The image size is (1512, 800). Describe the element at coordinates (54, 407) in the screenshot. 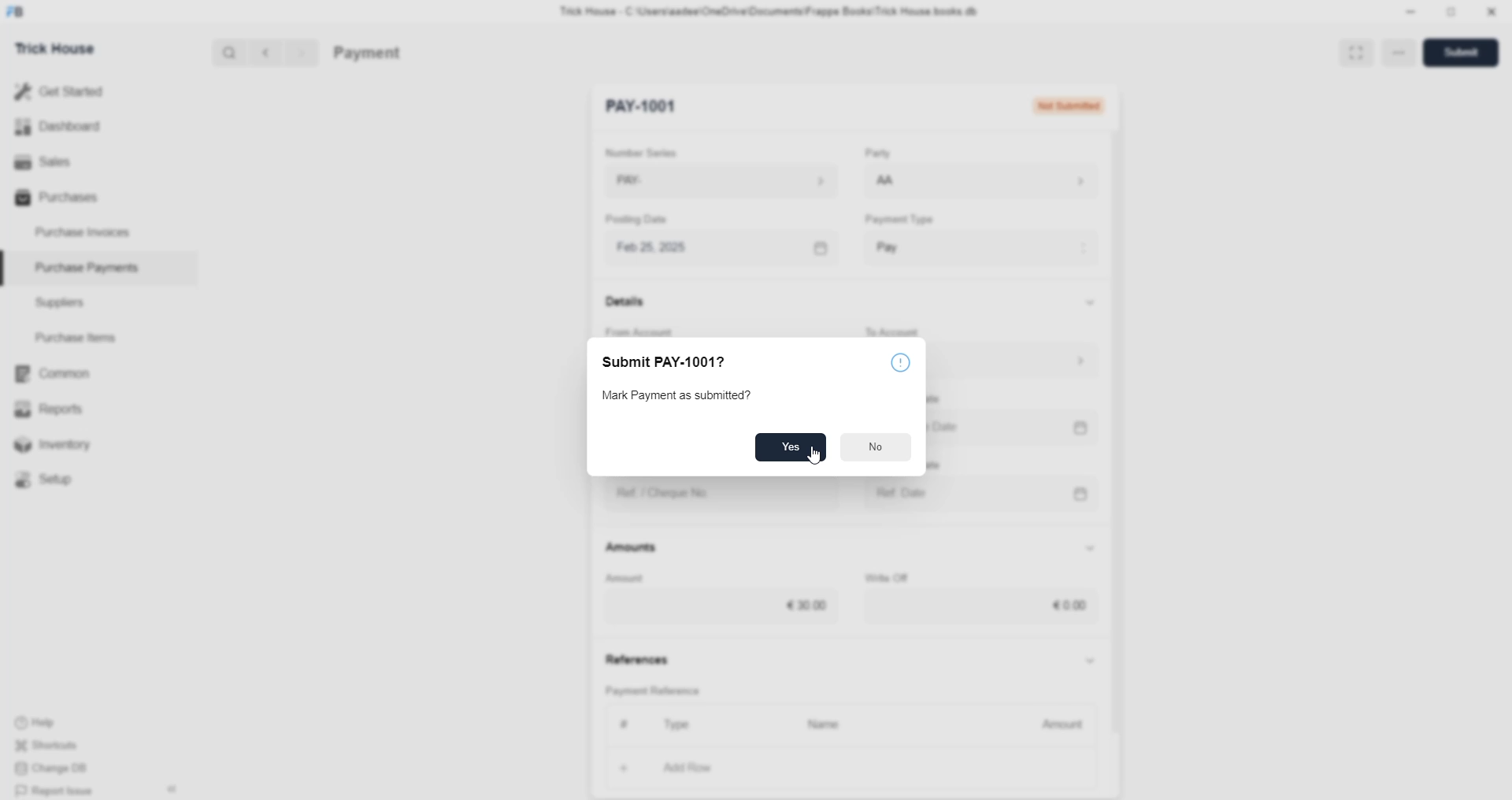

I see `Reports` at that location.